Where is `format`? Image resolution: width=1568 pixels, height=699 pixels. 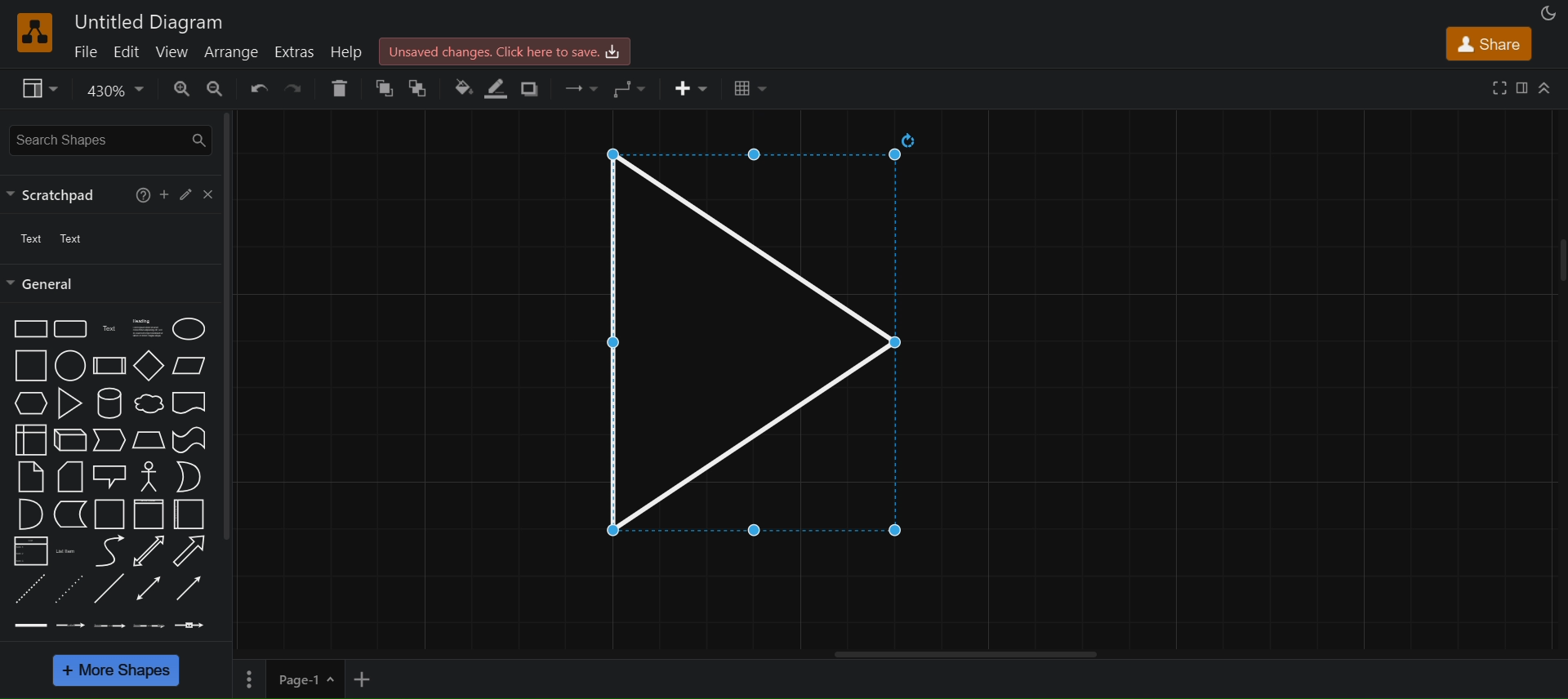
format is located at coordinates (1521, 87).